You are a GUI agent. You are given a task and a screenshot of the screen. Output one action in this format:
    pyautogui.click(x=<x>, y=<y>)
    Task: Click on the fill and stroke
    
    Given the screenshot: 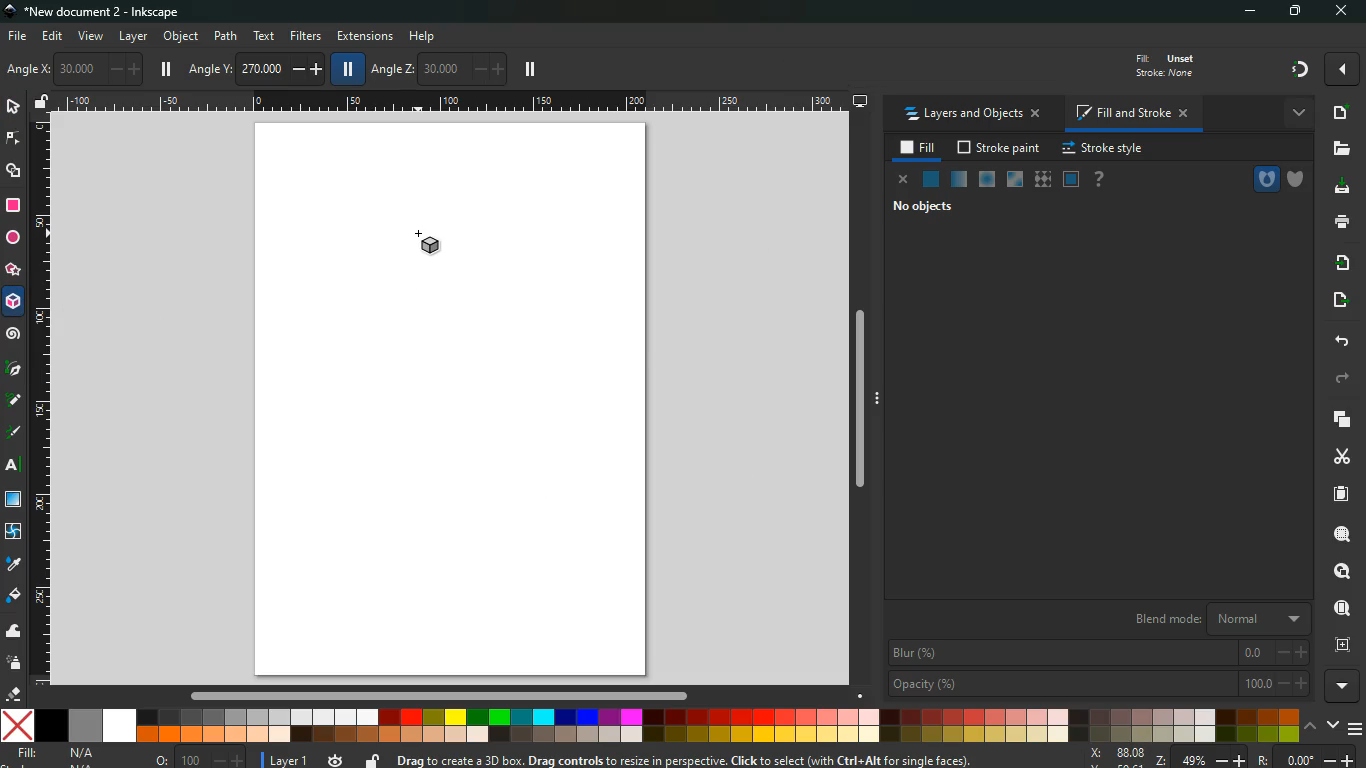 What is the action you would take?
    pyautogui.click(x=1130, y=115)
    